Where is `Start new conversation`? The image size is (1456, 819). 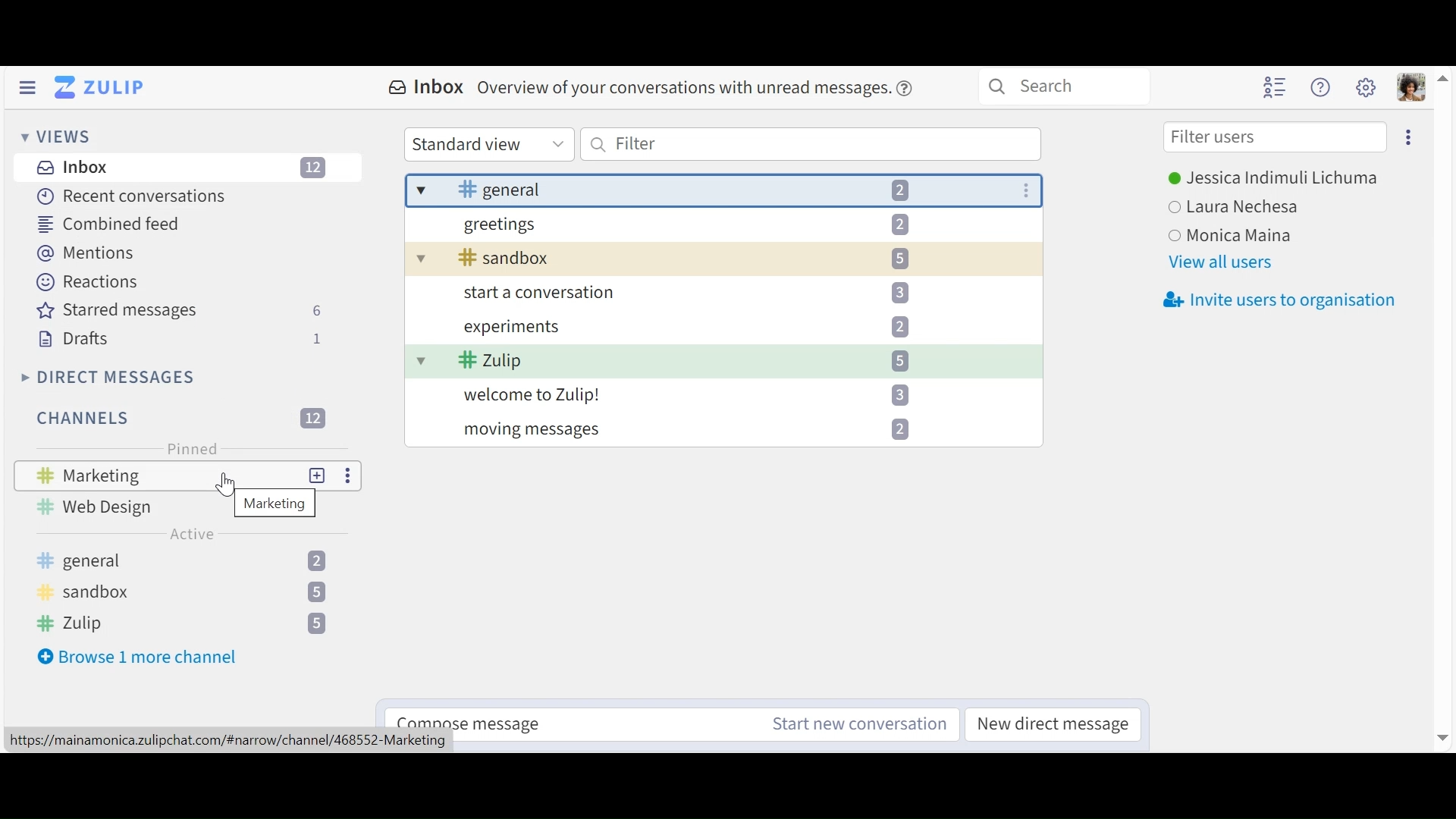 Start new conversation is located at coordinates (849, 723).